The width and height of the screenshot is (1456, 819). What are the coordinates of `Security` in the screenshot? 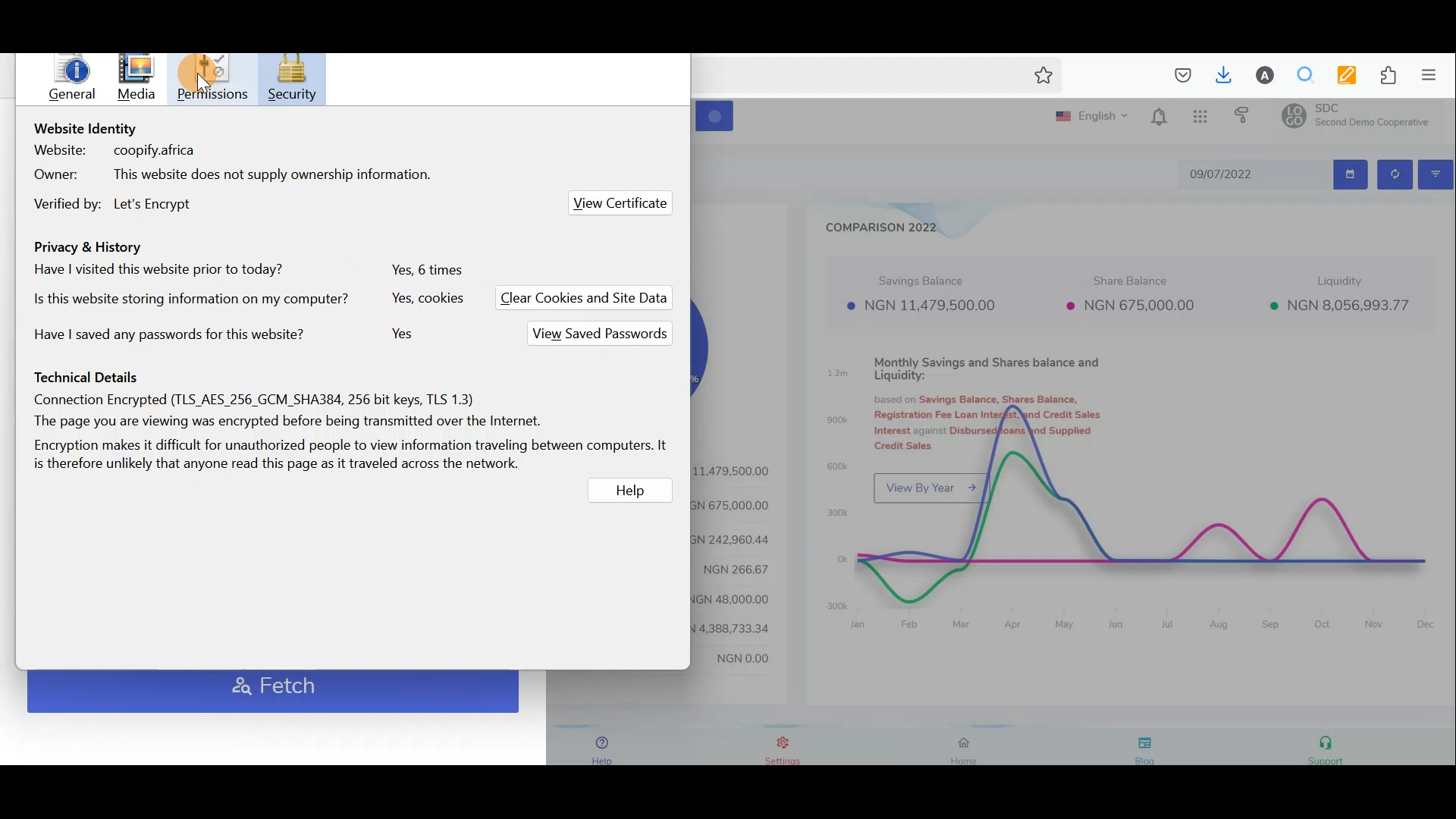 It's located at (293, 80).